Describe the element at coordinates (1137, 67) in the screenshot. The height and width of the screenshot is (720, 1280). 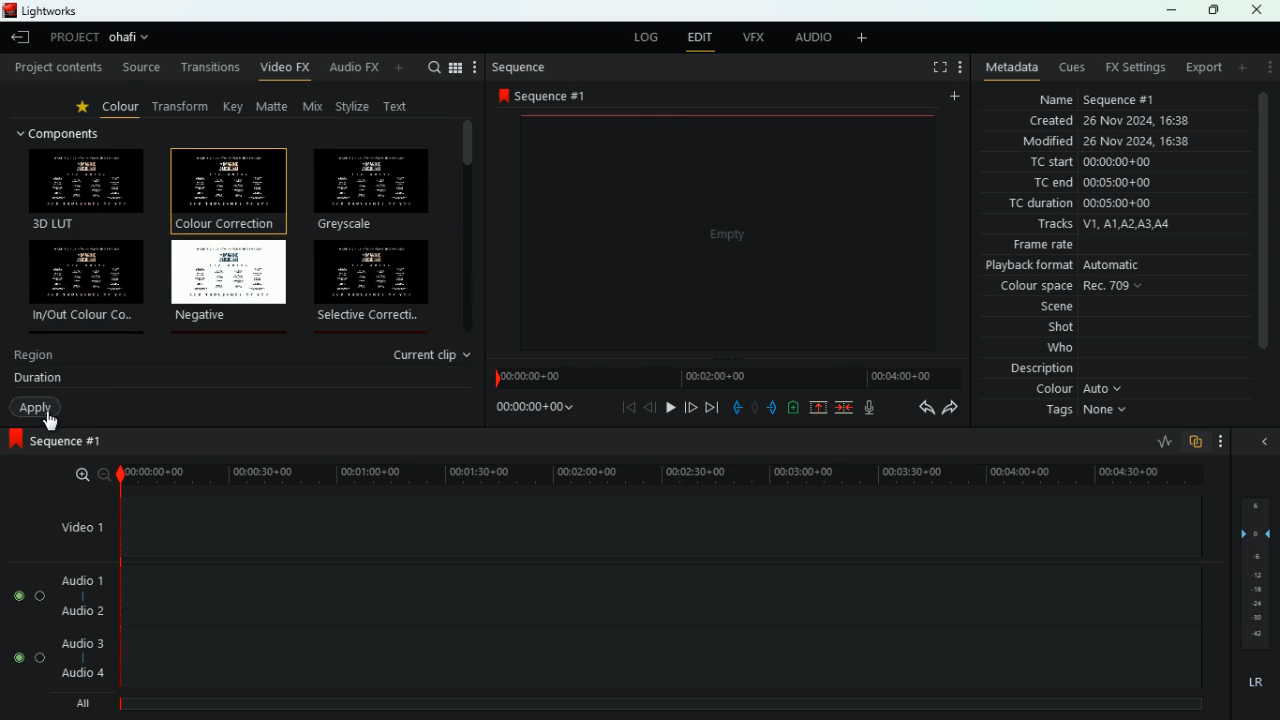
I see `fx settings` at that location.